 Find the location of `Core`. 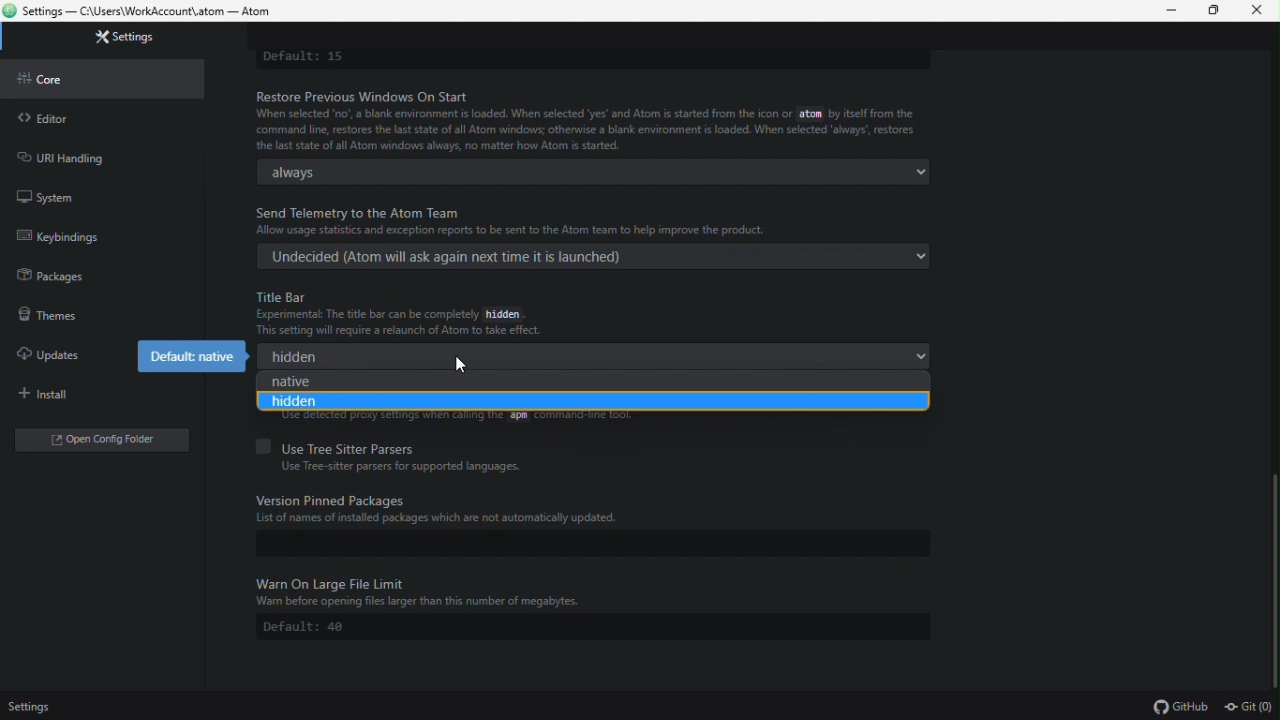

Core is located at coordinates (110, 78).